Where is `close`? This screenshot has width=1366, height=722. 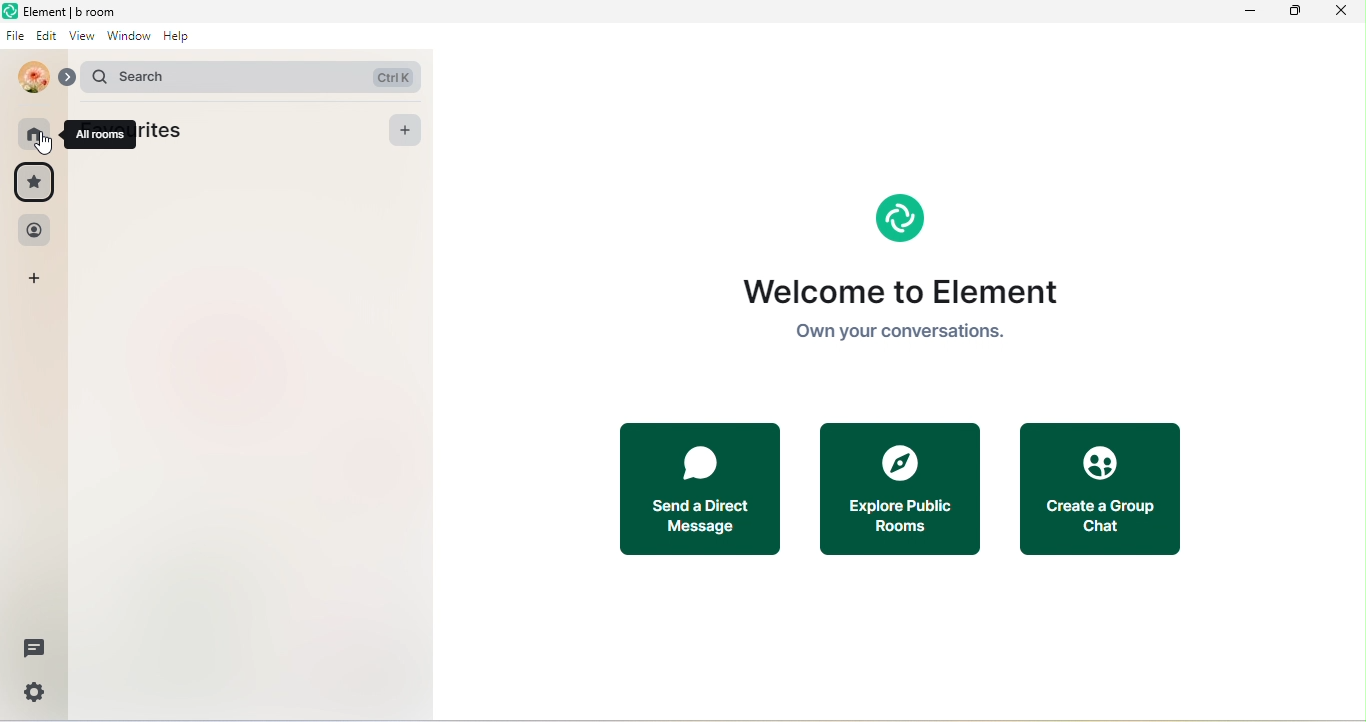 close is located at coordinates (1337, 12).